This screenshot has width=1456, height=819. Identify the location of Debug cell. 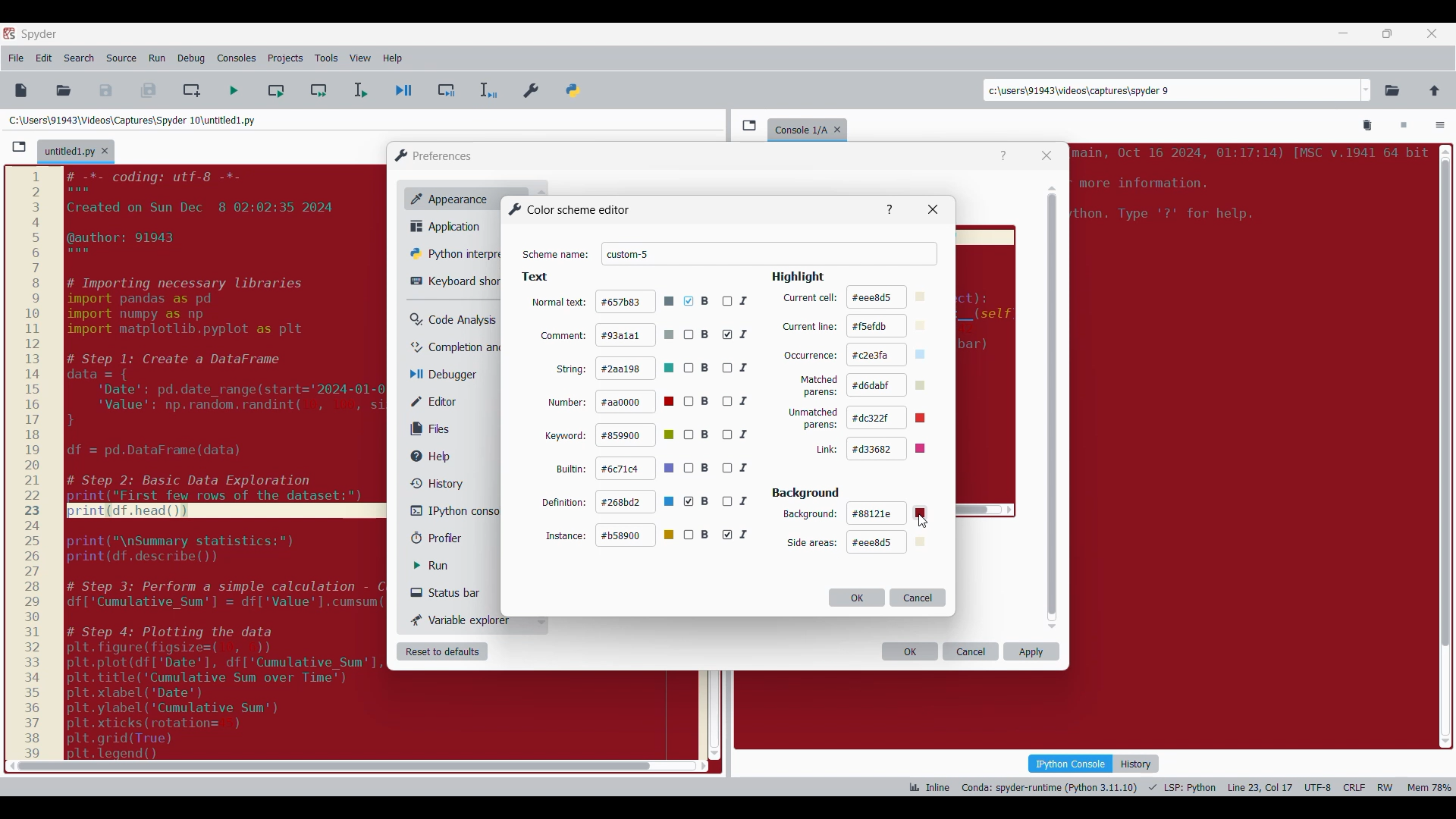
(447, 90).